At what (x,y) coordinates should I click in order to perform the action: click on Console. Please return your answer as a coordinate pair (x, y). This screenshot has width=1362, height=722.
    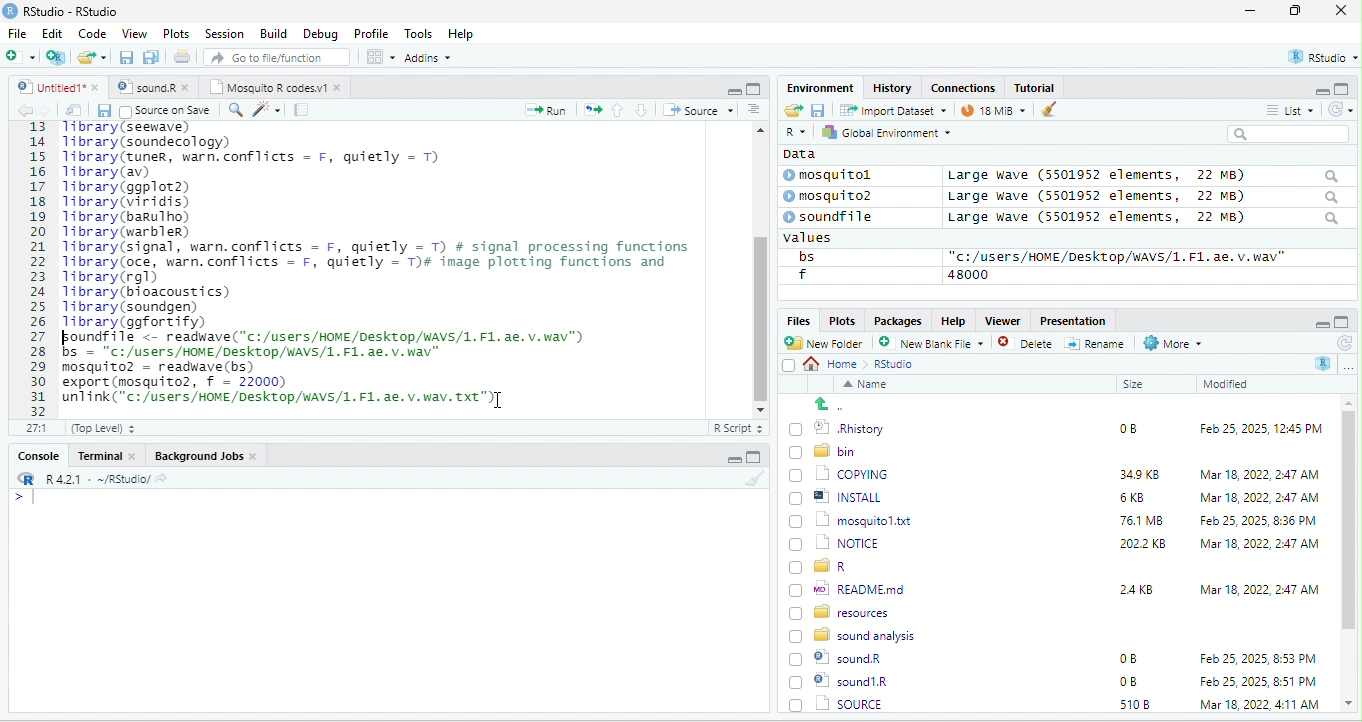
    Looking at the image, I should click on (37, 454).